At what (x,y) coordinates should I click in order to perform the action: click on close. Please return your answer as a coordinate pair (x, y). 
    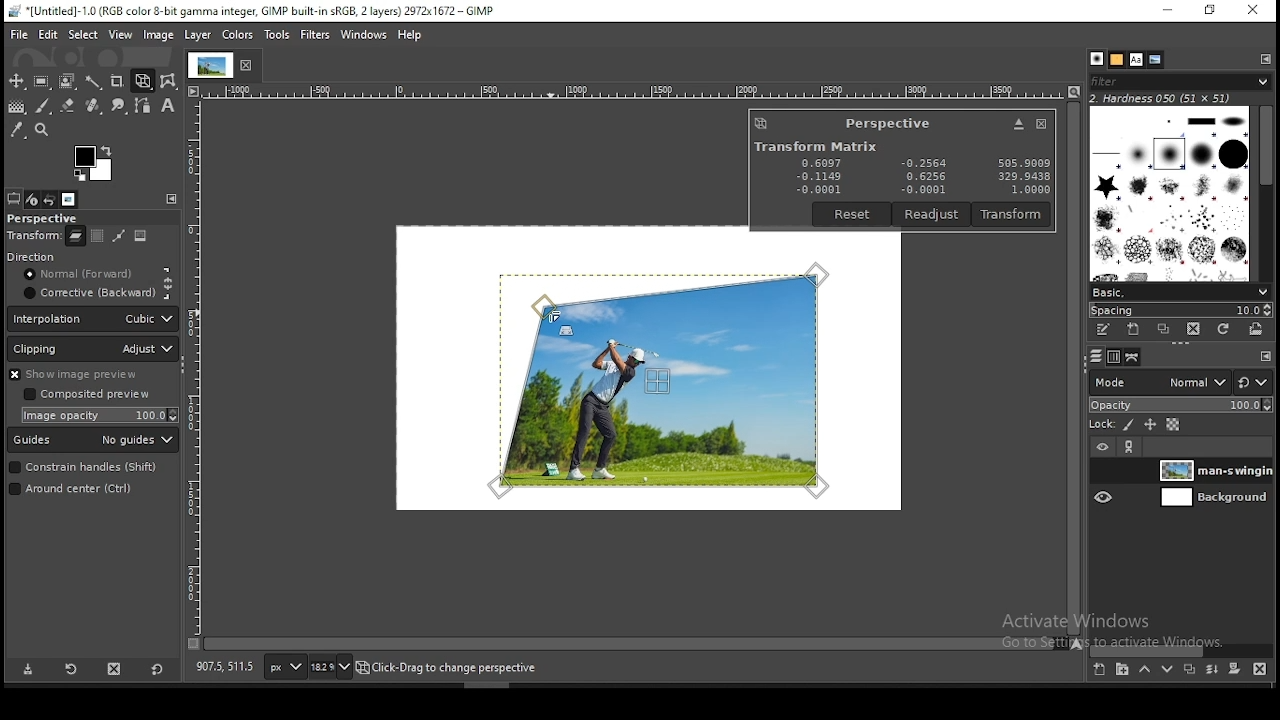
    Looking at the image, I should click on (250, 66).